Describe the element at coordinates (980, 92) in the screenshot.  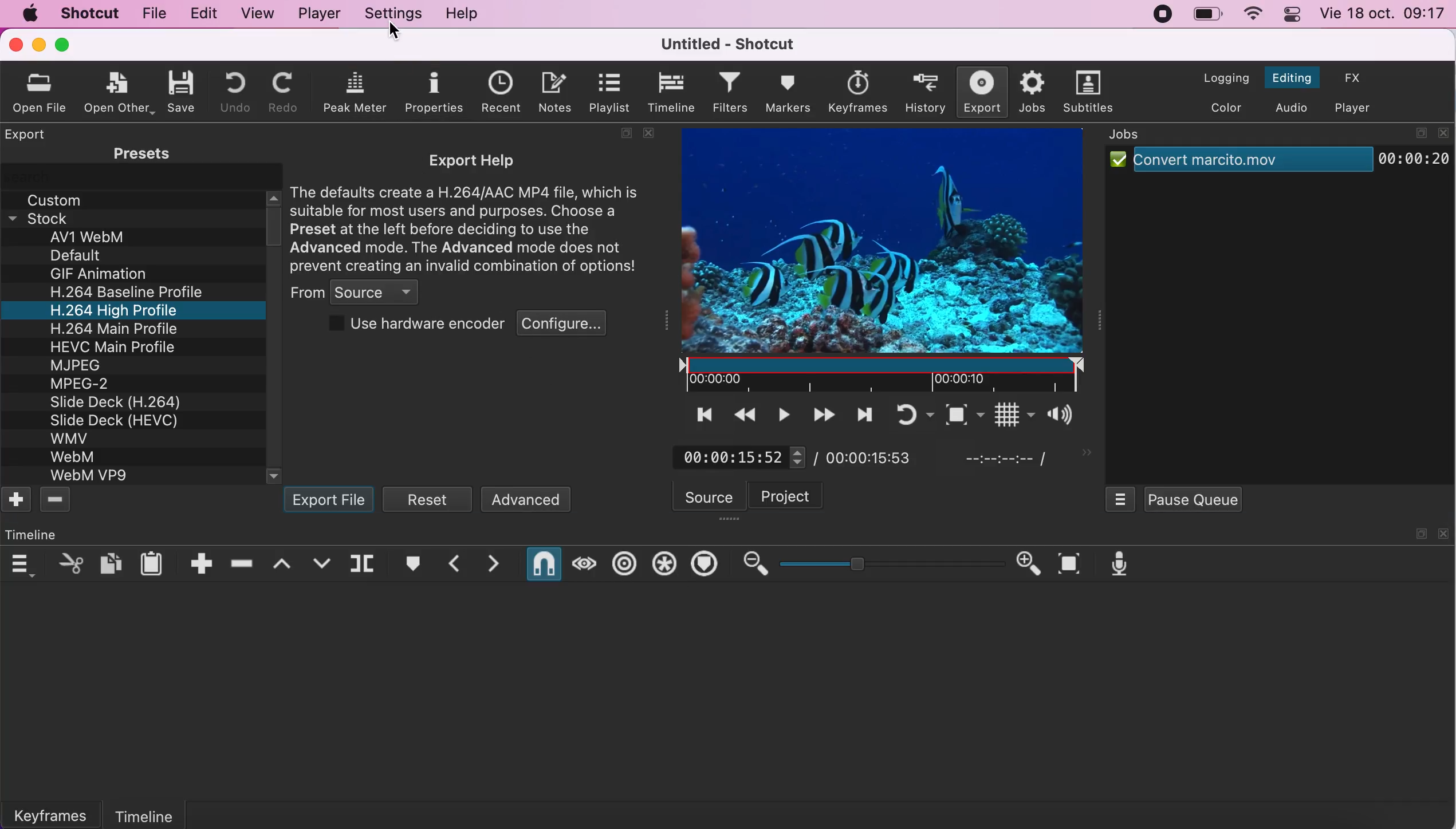
I see `export` at that location.